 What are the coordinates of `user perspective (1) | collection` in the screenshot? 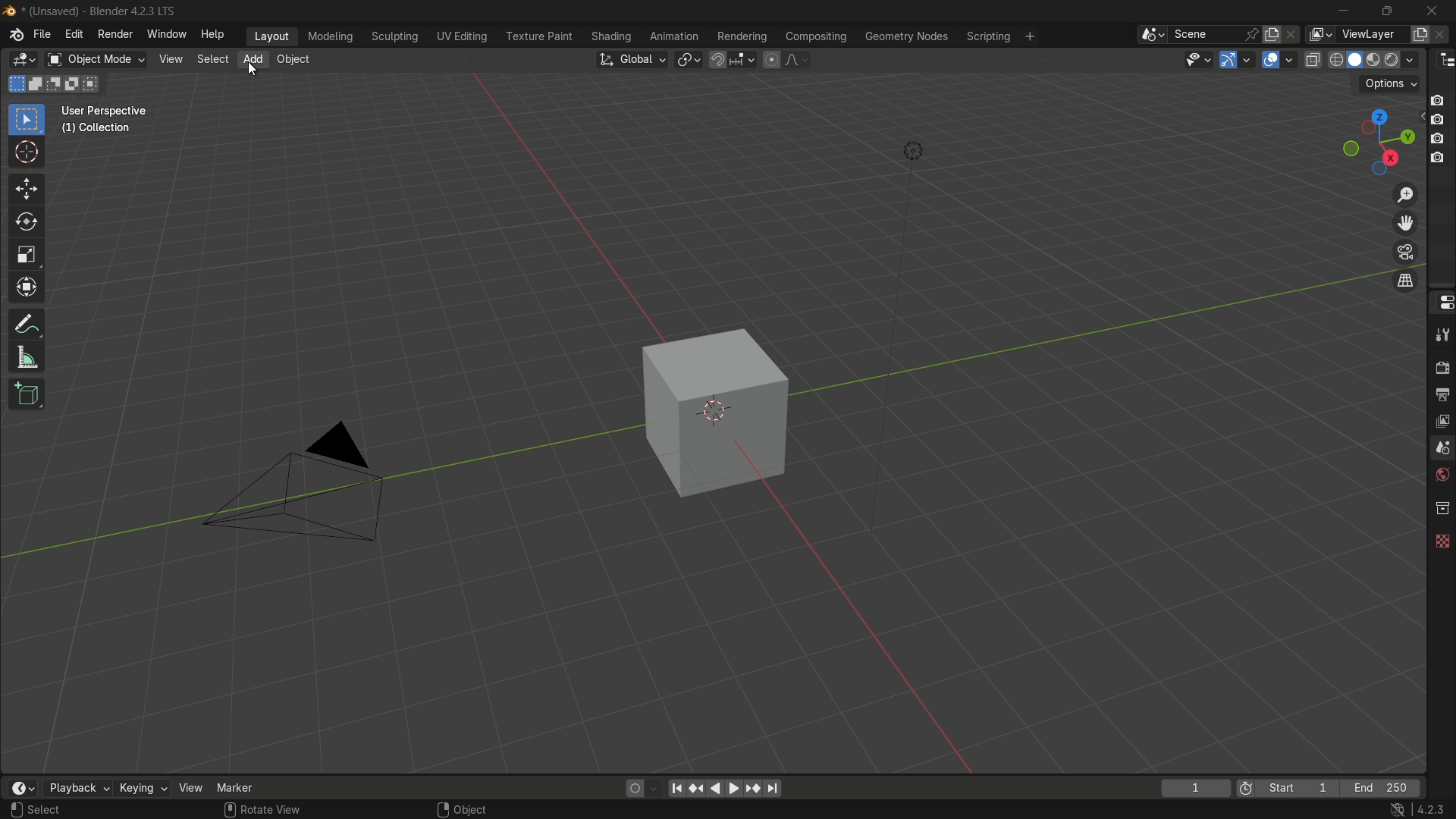 It's located at (121, 124).